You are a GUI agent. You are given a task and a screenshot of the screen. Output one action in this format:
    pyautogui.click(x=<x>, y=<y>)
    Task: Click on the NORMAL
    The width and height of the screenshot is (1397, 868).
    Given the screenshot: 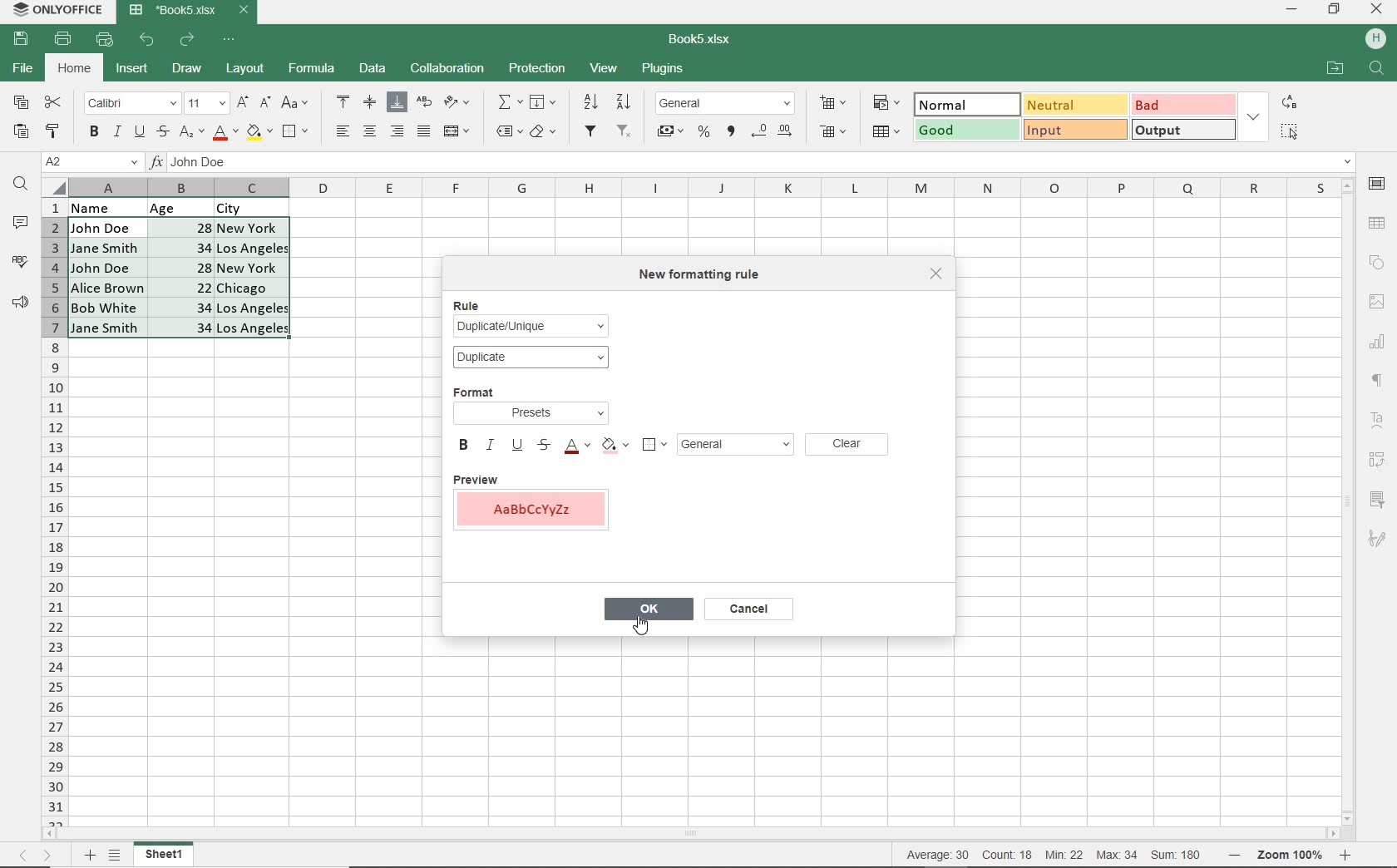 What is the action you would take?
    pyautogui.click(x=959, y=105)
    